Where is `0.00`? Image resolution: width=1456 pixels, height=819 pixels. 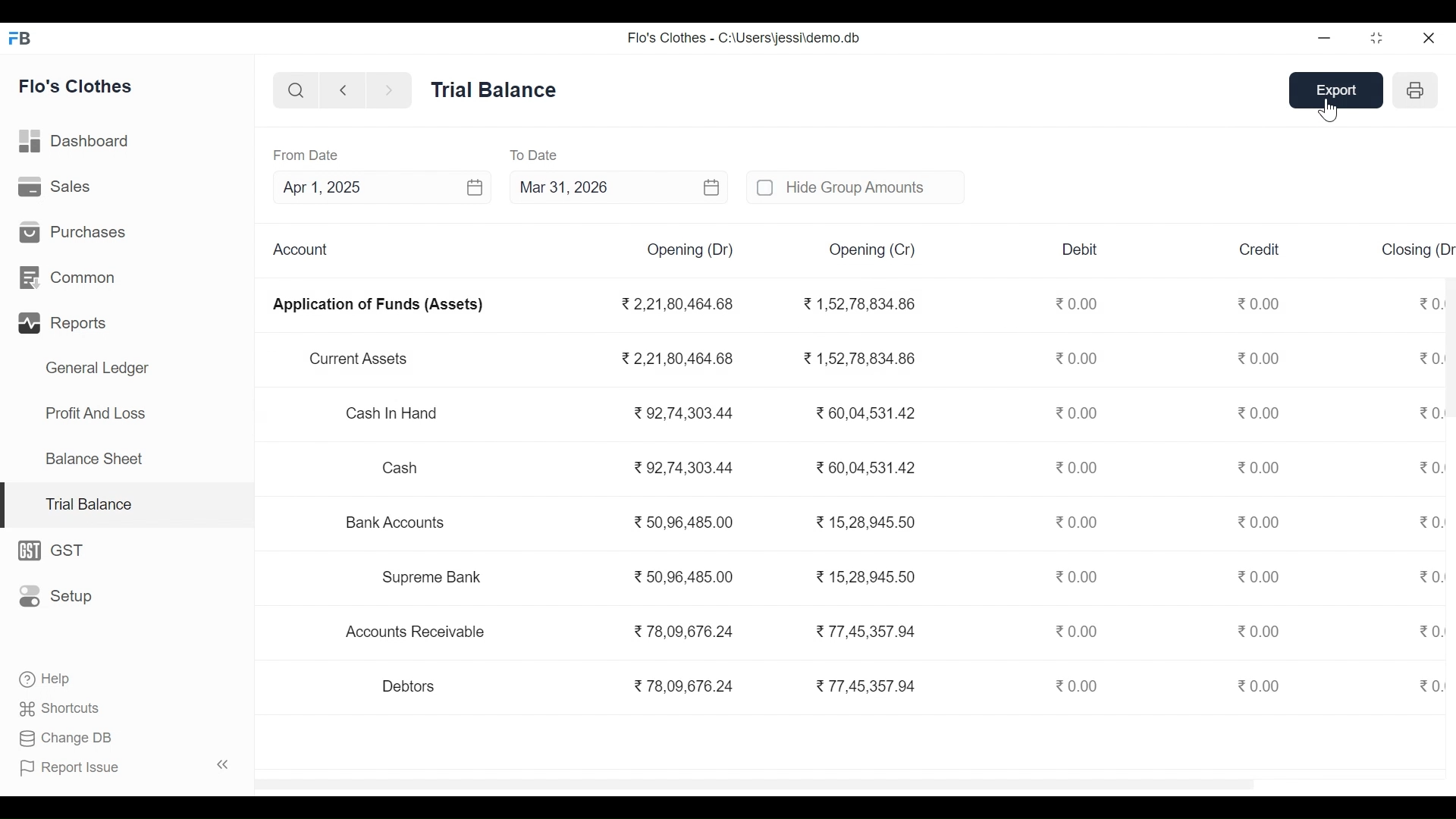 0.00 is located at coordinates (1429, 578).